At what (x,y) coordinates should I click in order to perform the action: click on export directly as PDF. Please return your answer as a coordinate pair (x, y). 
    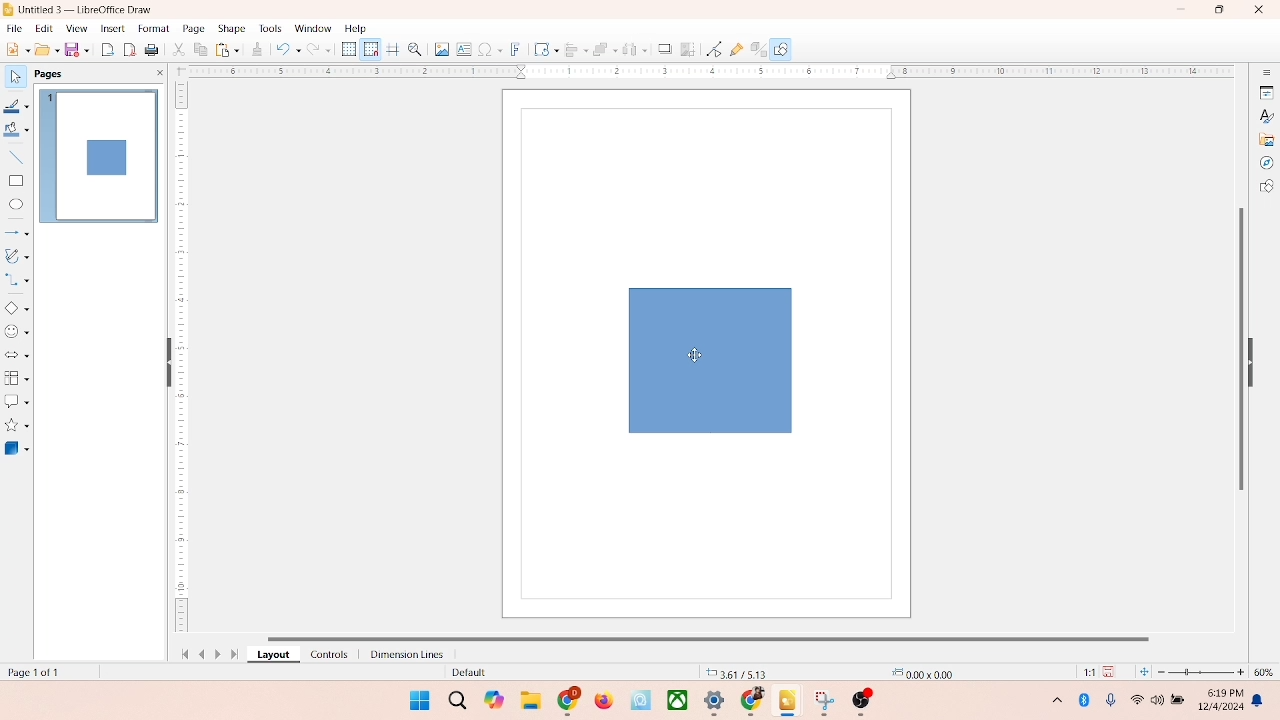
    Looking at the image, I should click on (131, 49).